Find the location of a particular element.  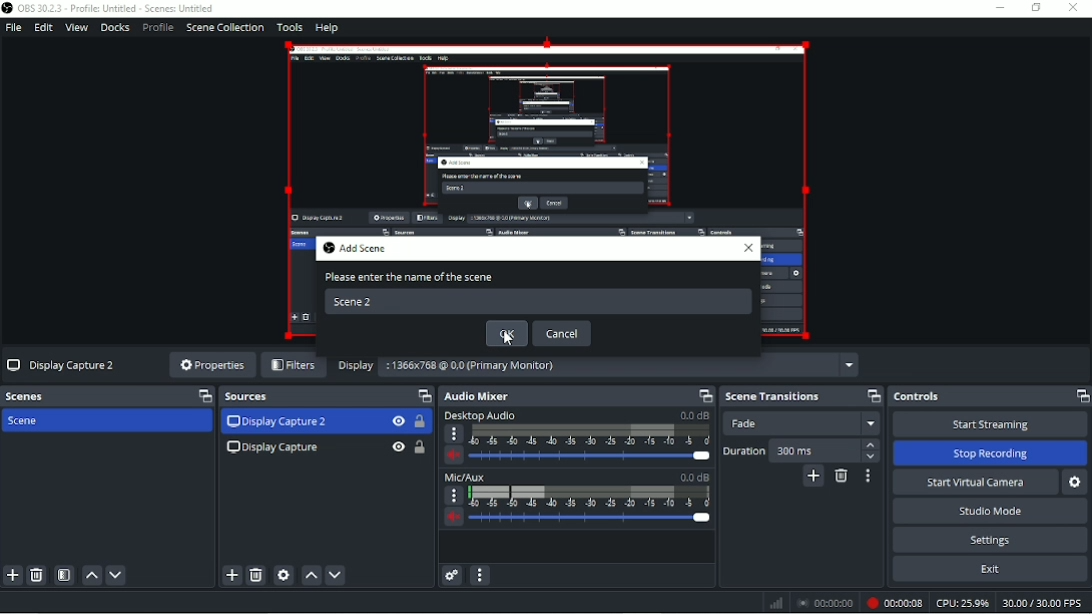

Mic/Aux is located at coordinates (467, 477).